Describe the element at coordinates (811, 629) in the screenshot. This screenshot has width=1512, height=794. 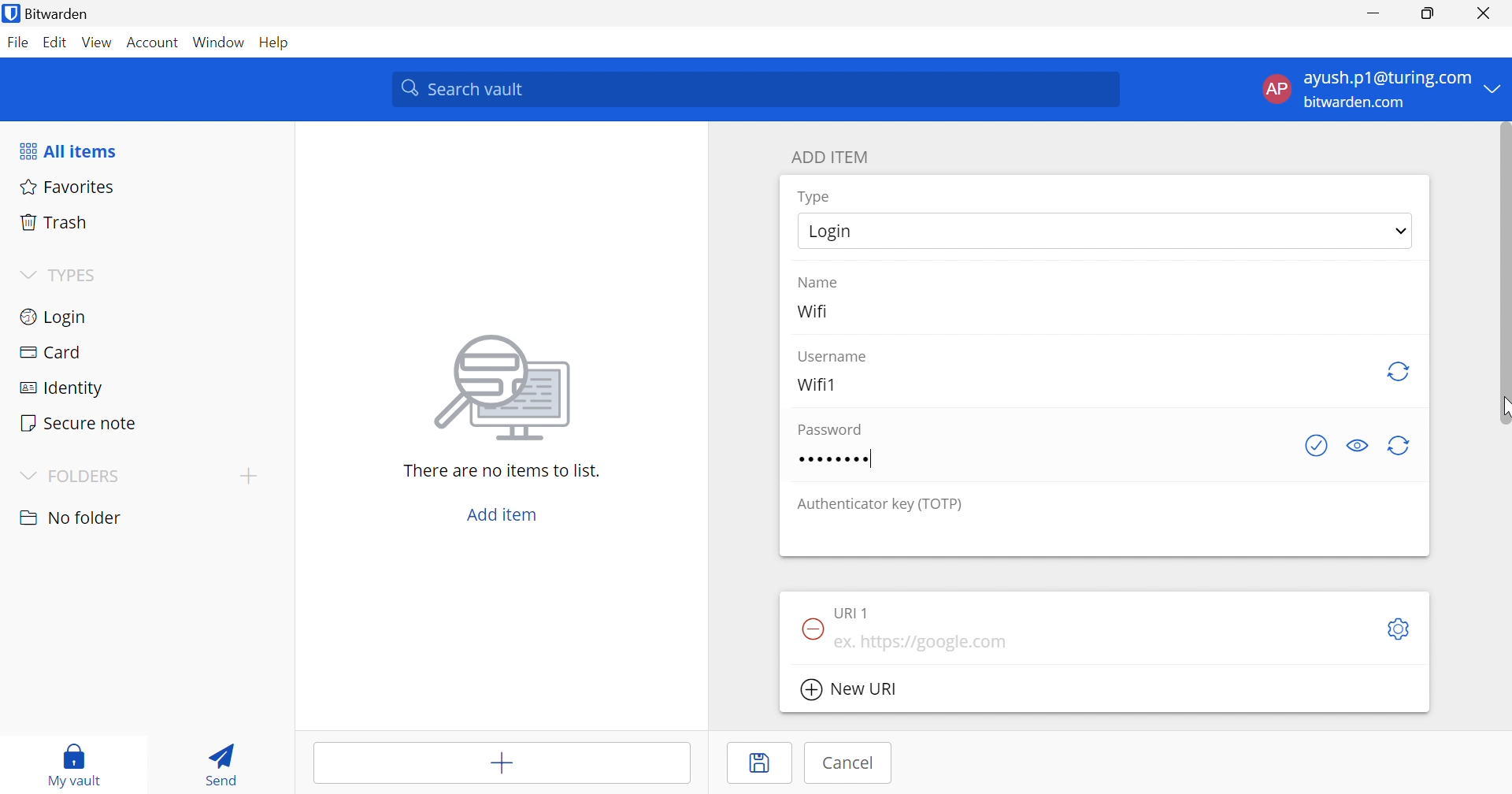
I see `Remove` at that location.